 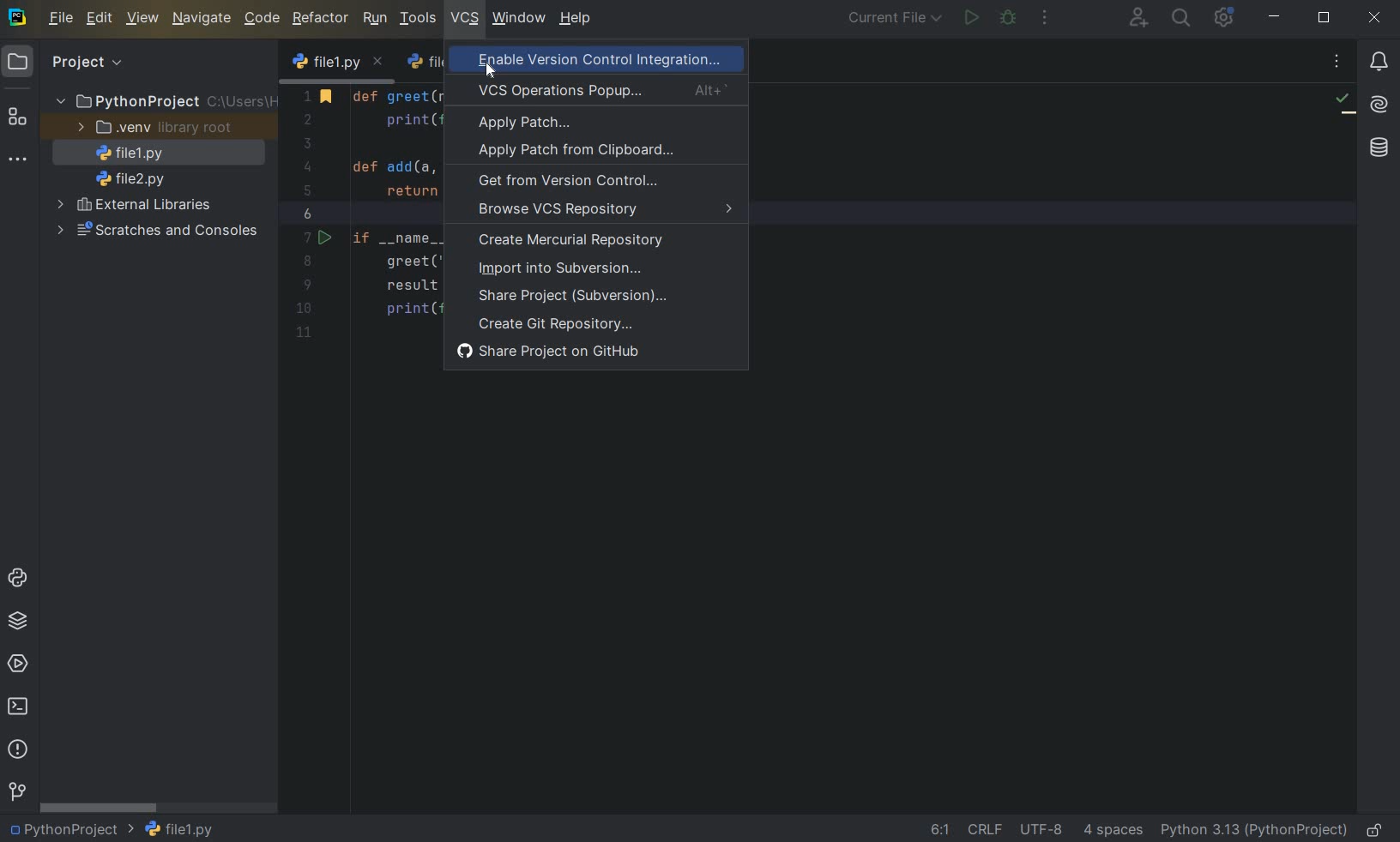 What do you see at coordinates (16, 791) in the screenshot?
I see `Version control` at bounding box center [16, 791].